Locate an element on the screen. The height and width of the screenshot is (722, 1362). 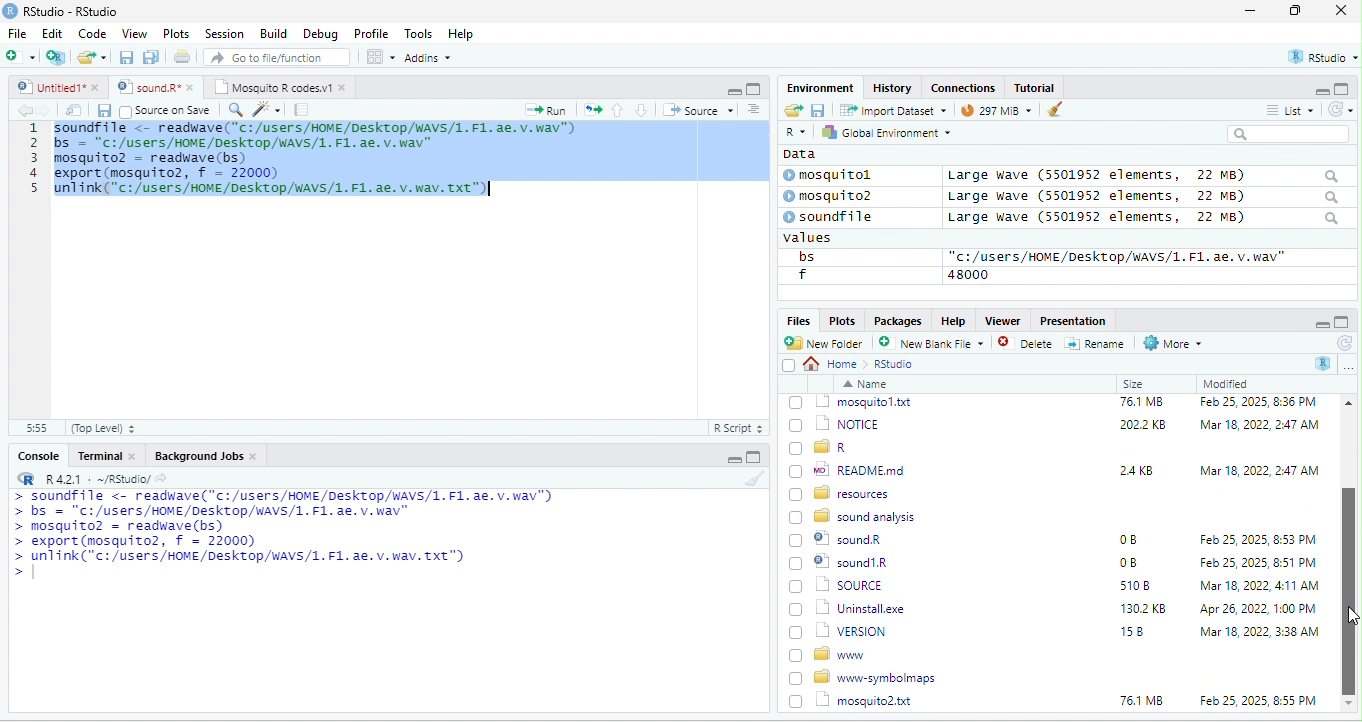
© mosquito? is located at coordinates (834, 194).